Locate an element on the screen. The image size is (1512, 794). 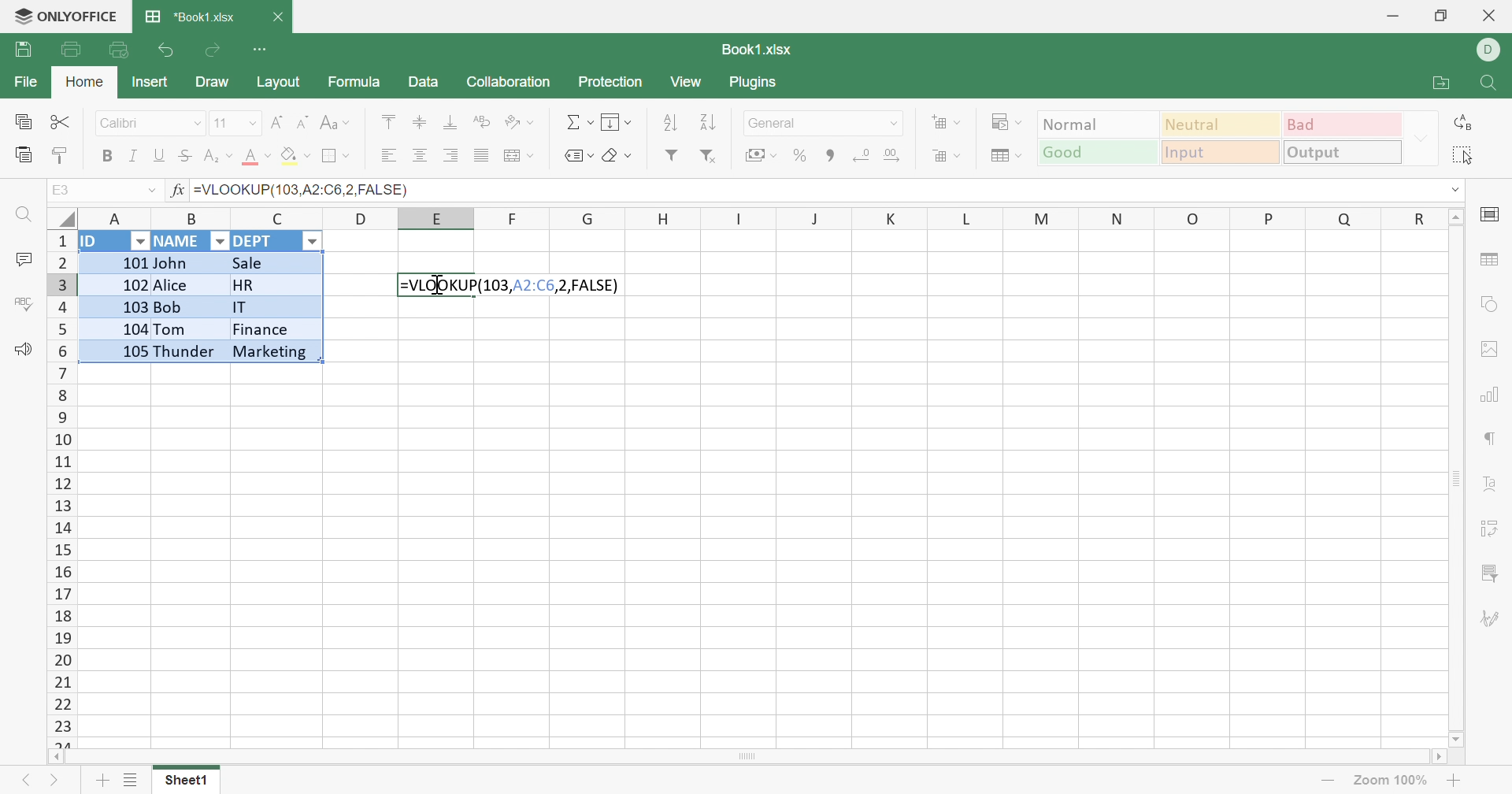
Alice is located at coordinates (176, 286).